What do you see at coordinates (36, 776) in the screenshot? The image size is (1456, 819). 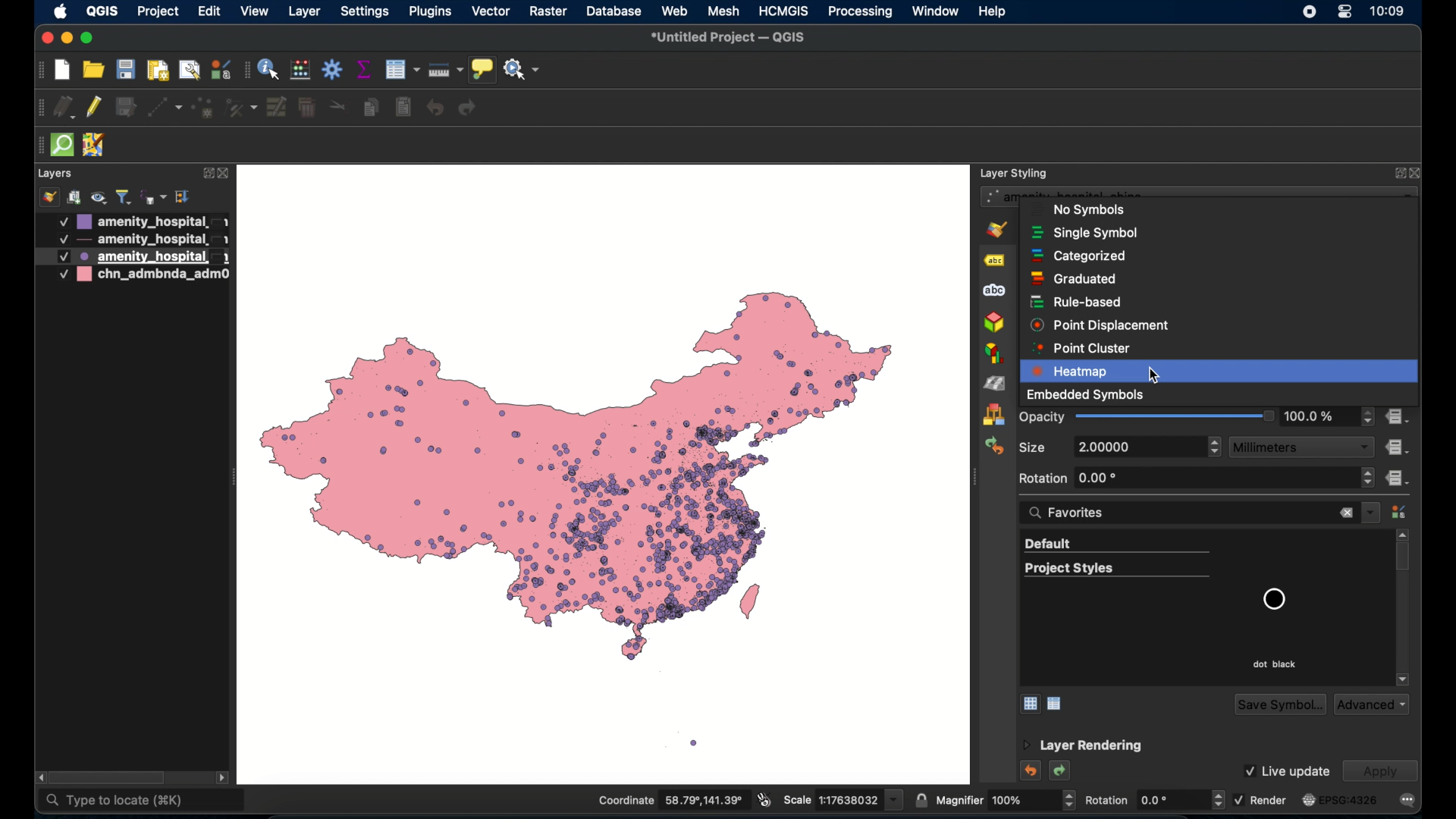 I see `scroll left arrow` at bounding box center [36, 776].